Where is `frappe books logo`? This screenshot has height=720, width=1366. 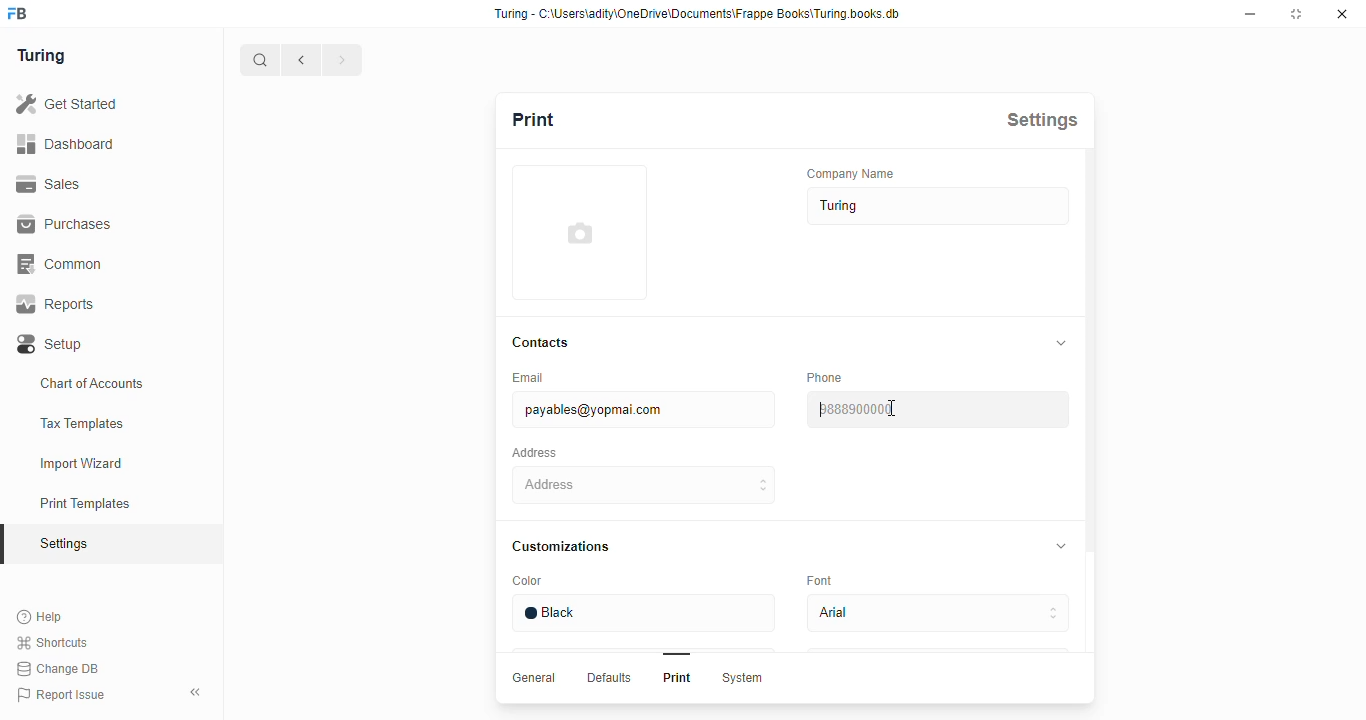 frappe books logo is located at coordinates (25, 15).